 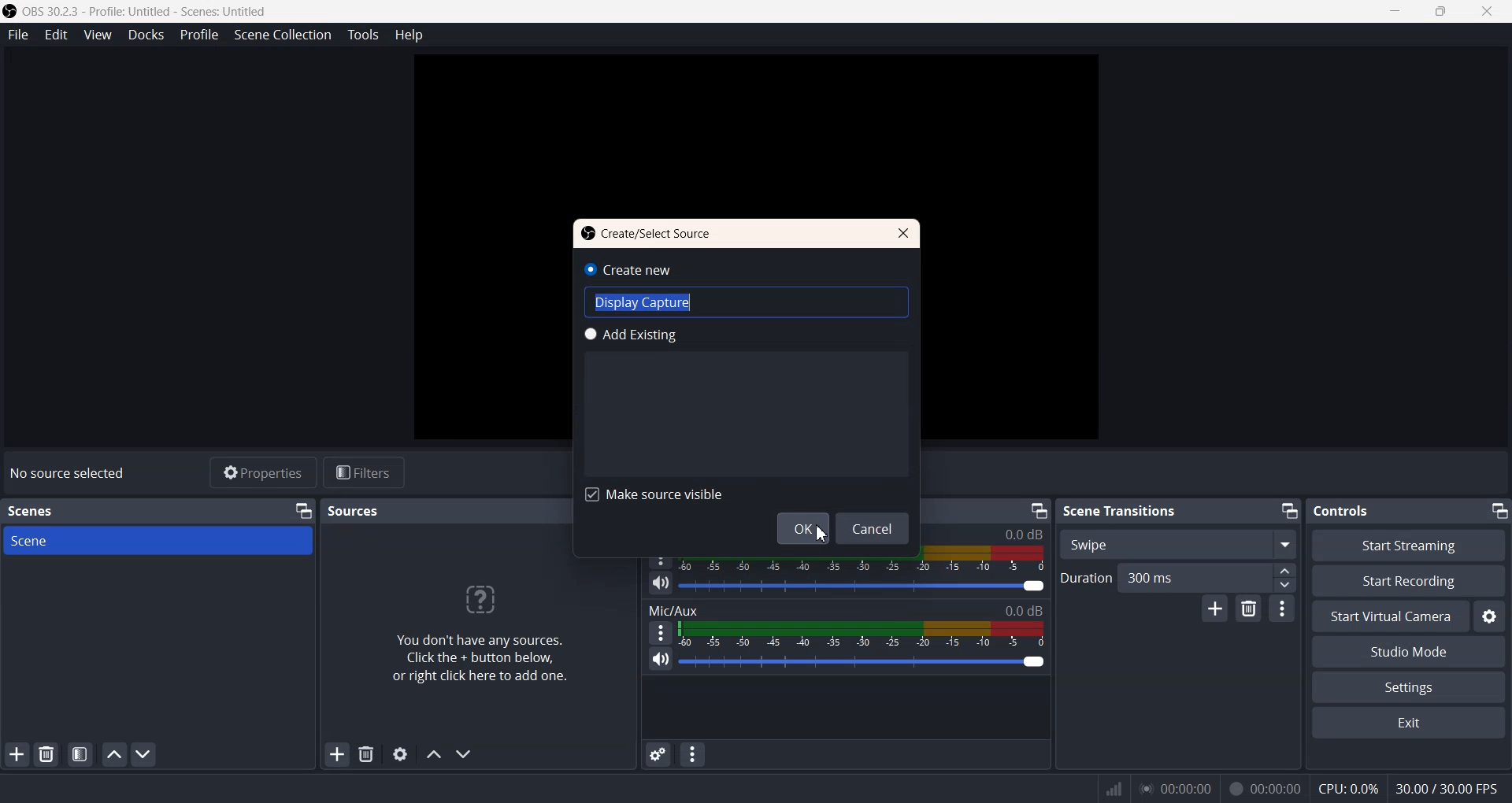 What do you see at coordinates (262, 472) in the screenshot?
I see `Properties` at bounding box center [262, 472].